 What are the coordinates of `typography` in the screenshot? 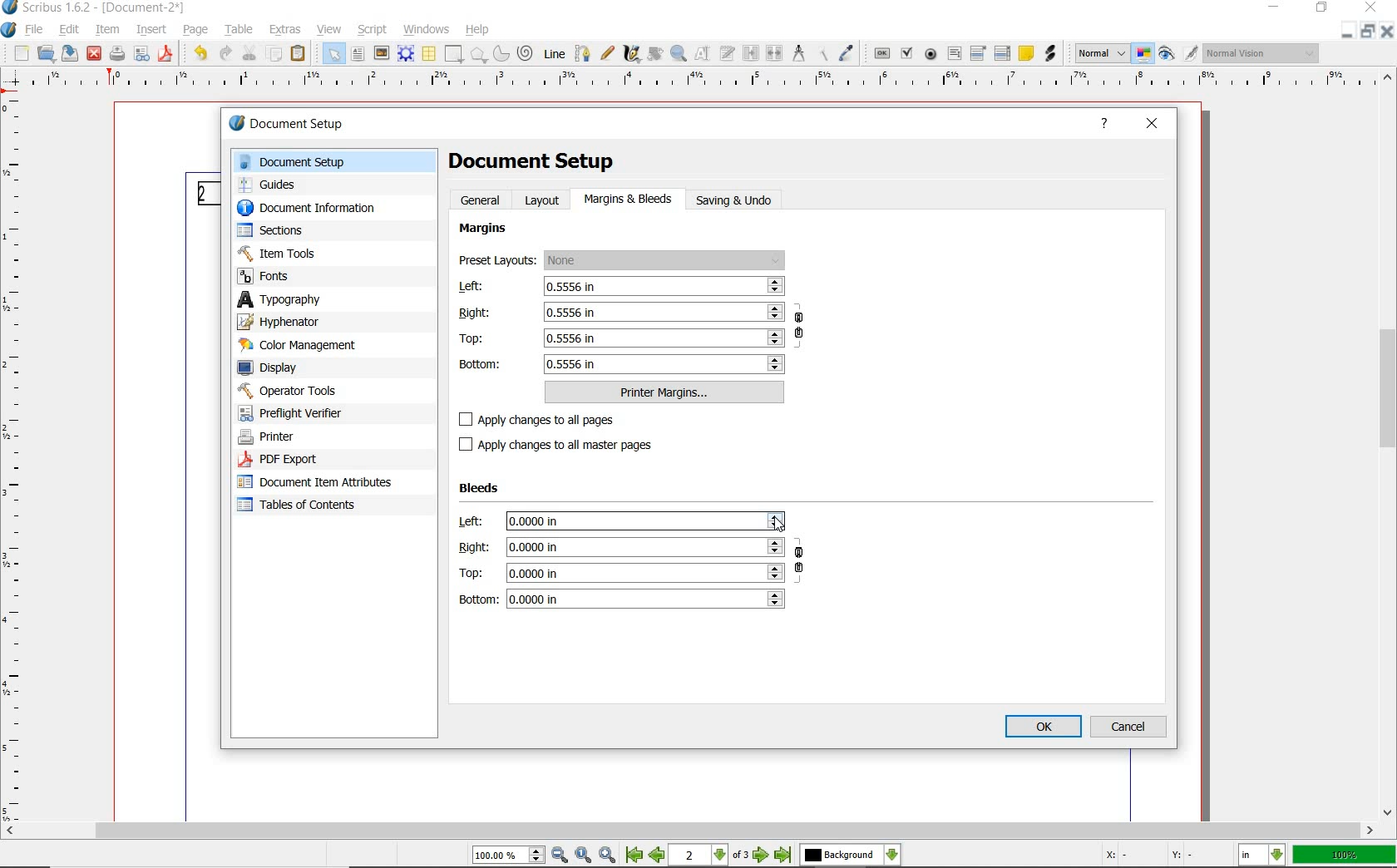 It's located at (334, 301).